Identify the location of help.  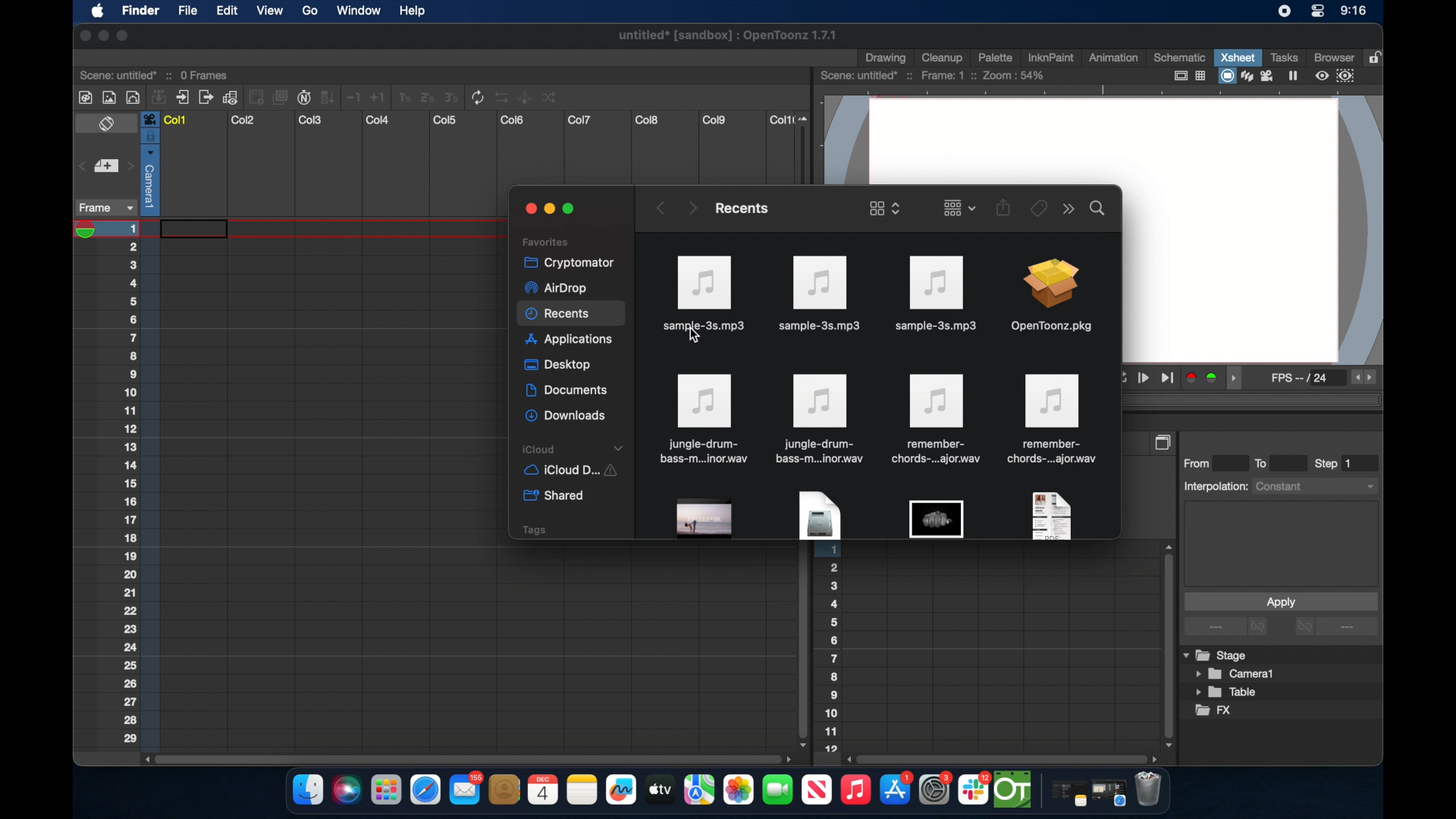
(412, 11).